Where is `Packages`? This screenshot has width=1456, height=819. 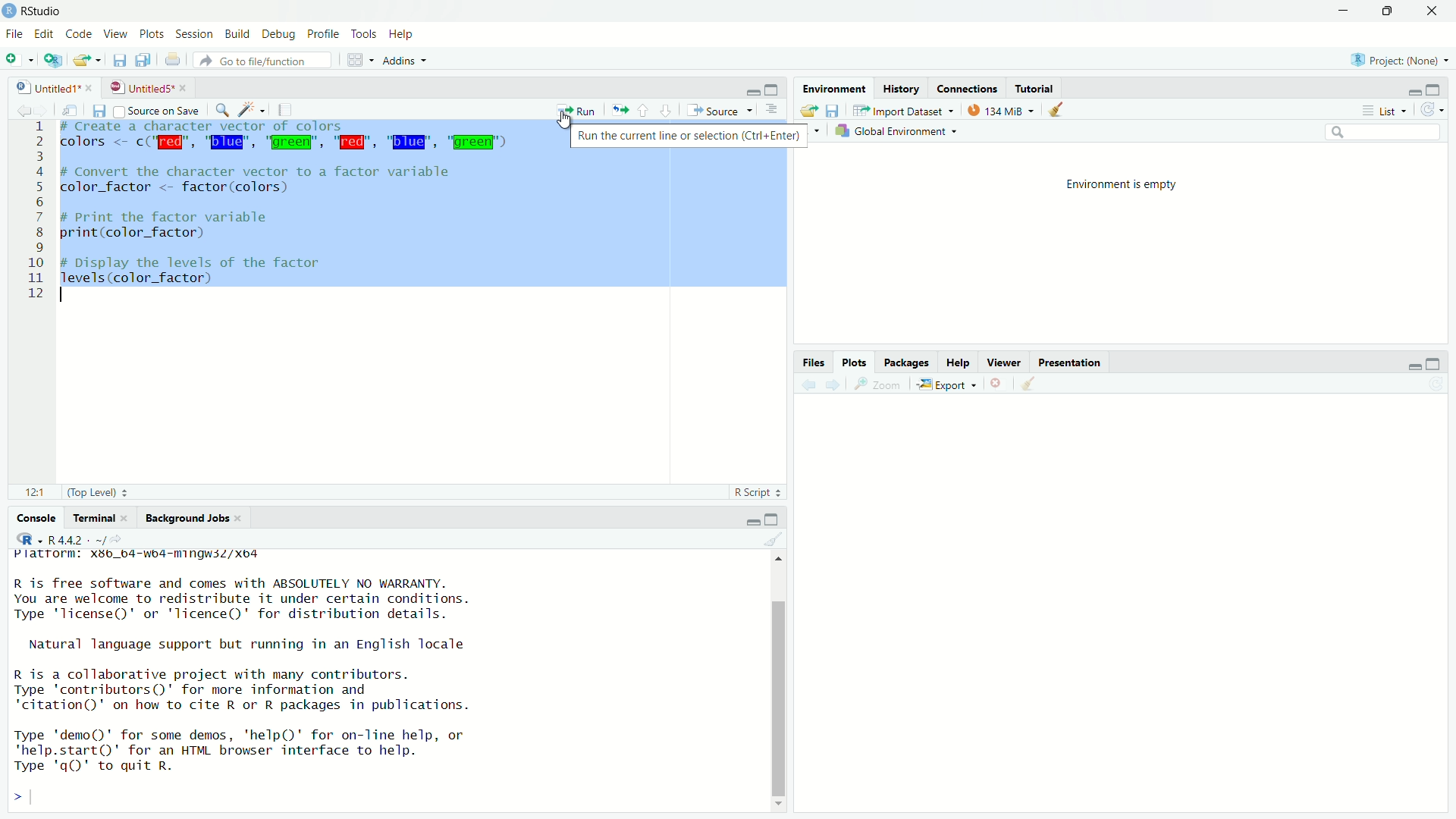
Packages is located at coordinates (905, 362).